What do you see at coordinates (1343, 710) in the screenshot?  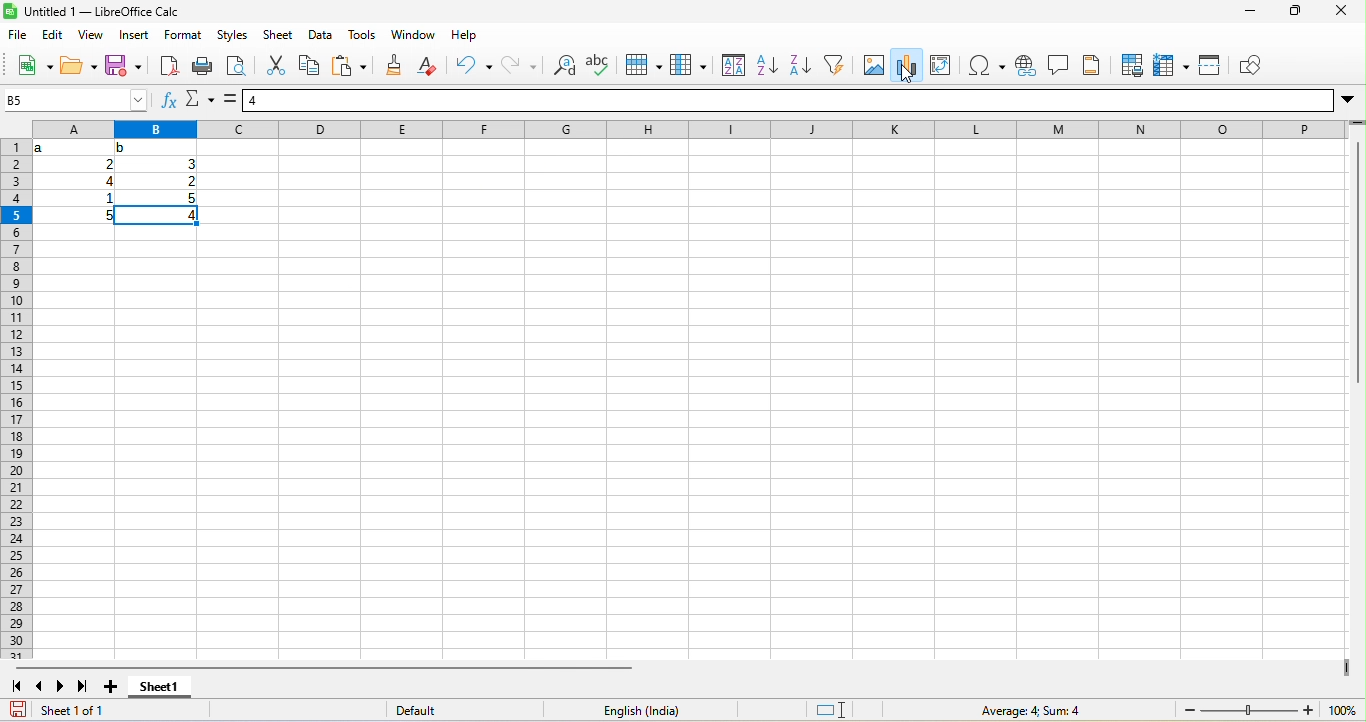 I see `100%` at bounding box center [1343, 710].